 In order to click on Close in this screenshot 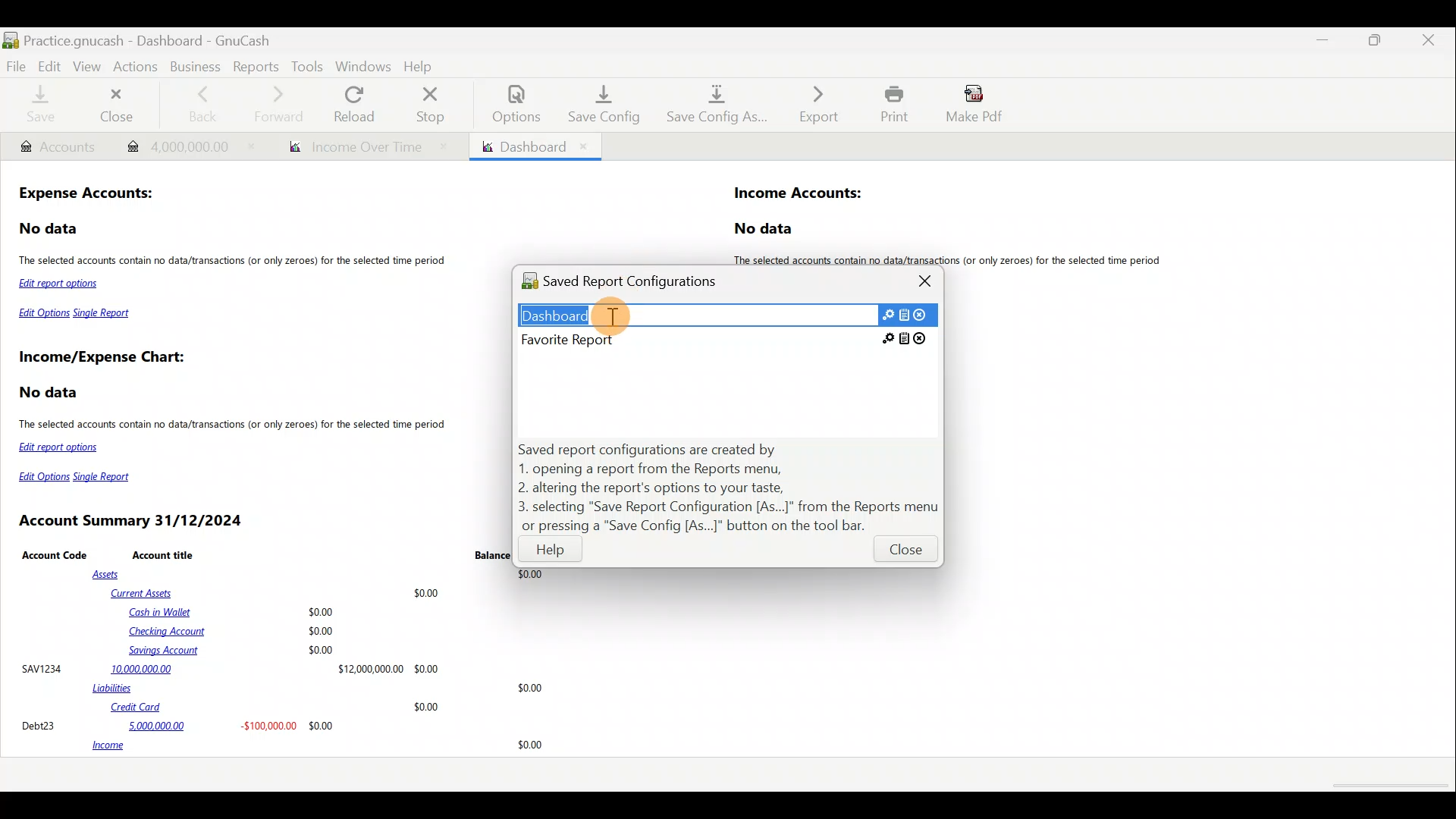, I will do `click(904, 553)`.